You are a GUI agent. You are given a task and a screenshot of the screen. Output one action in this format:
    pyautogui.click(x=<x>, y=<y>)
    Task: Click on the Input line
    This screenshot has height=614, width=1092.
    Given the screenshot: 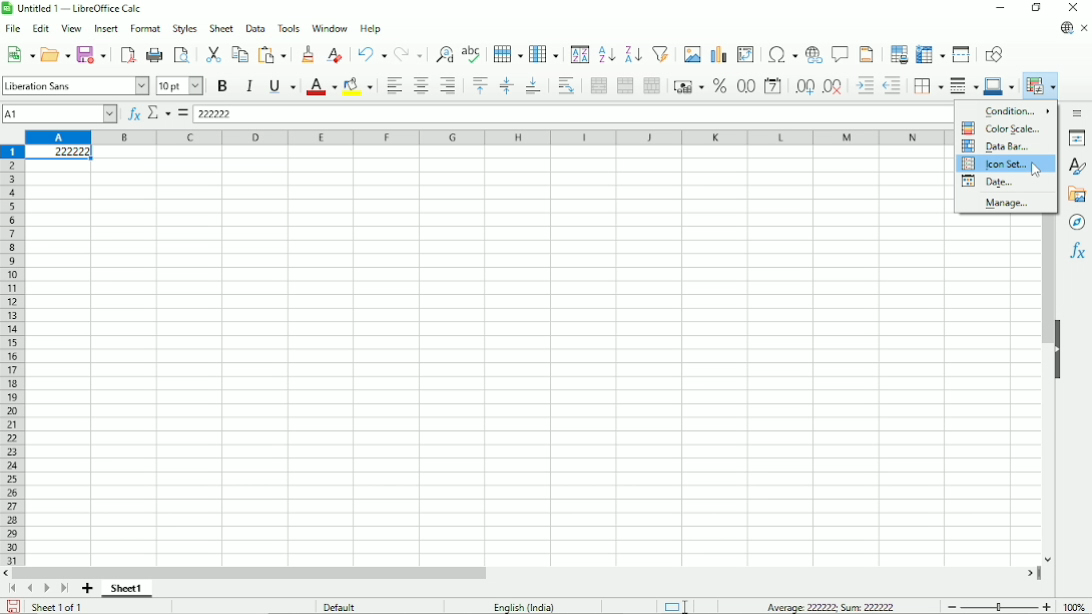 What is the action you would take?
    pyautogui.click(x=577, y=113)
    